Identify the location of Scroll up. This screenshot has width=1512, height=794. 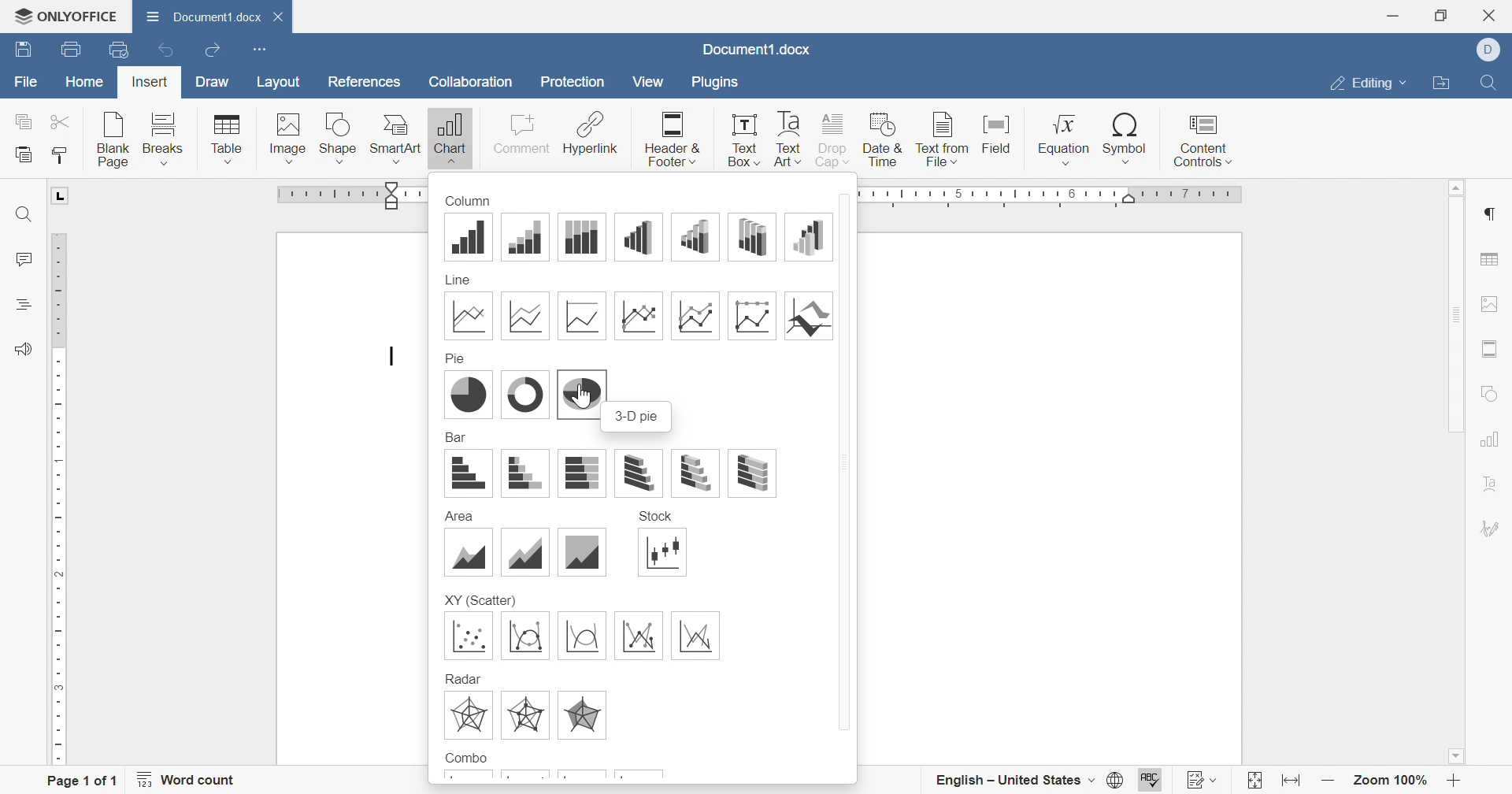
(1458, 187).